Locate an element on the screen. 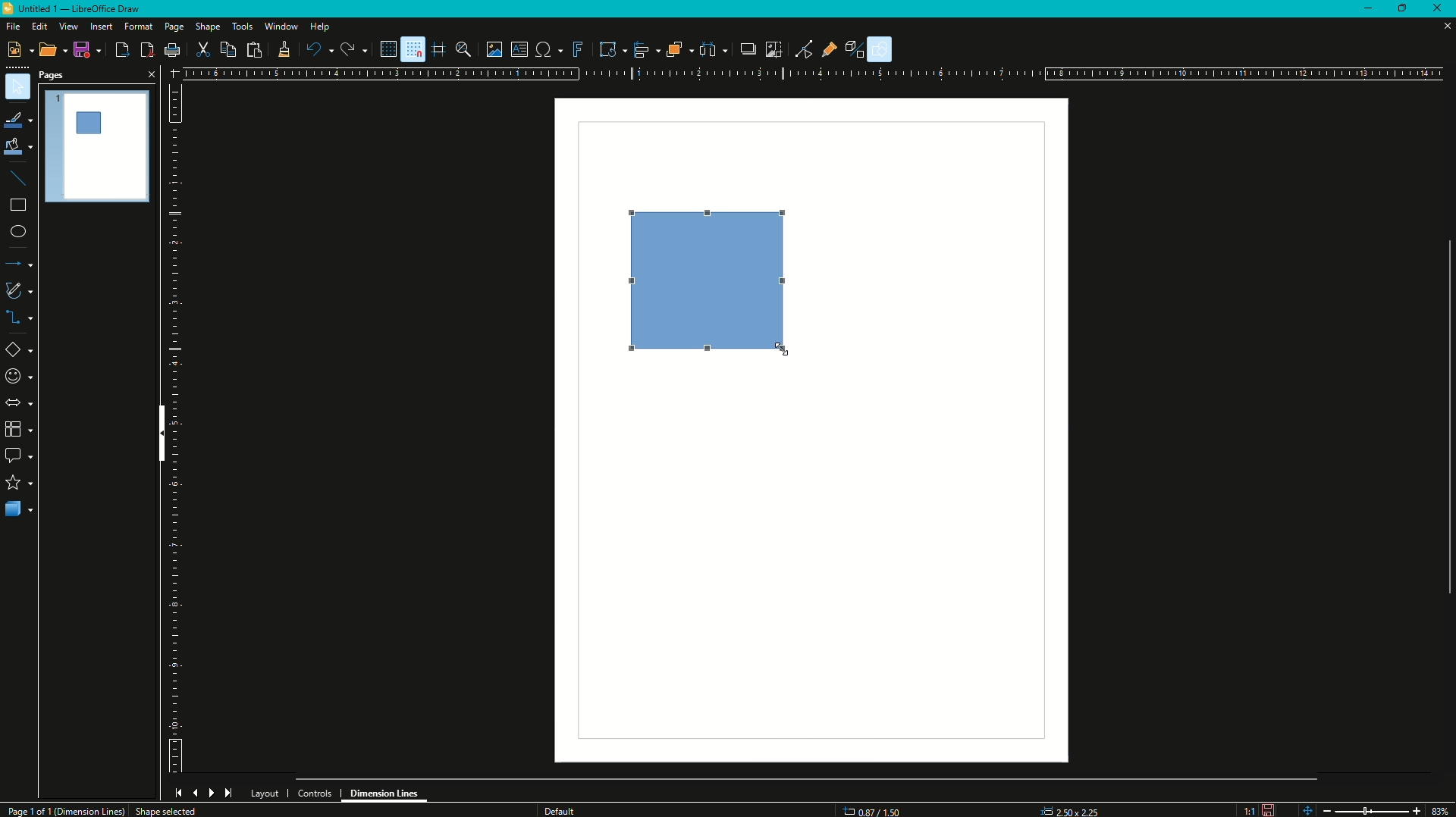 This screenshot has width=1456, height=817. Cursor is located at coordinates (783, 344).